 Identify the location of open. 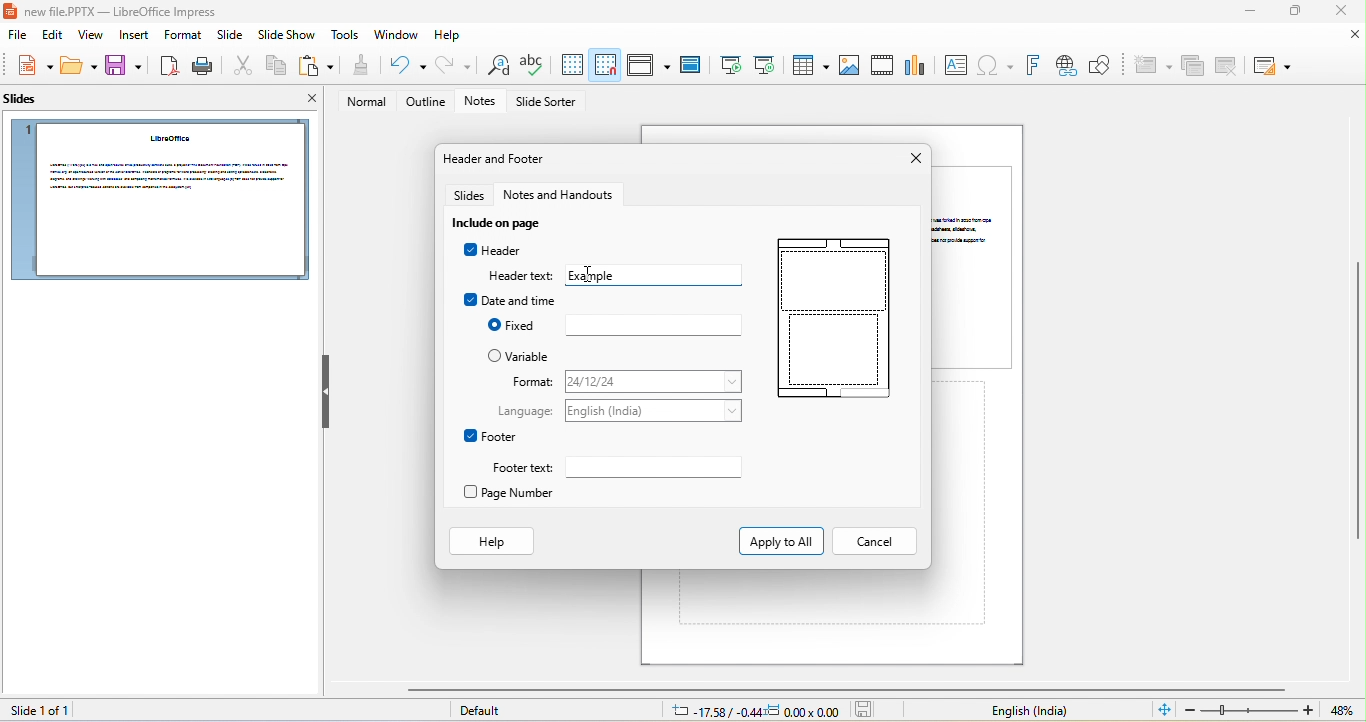
(80, 67).